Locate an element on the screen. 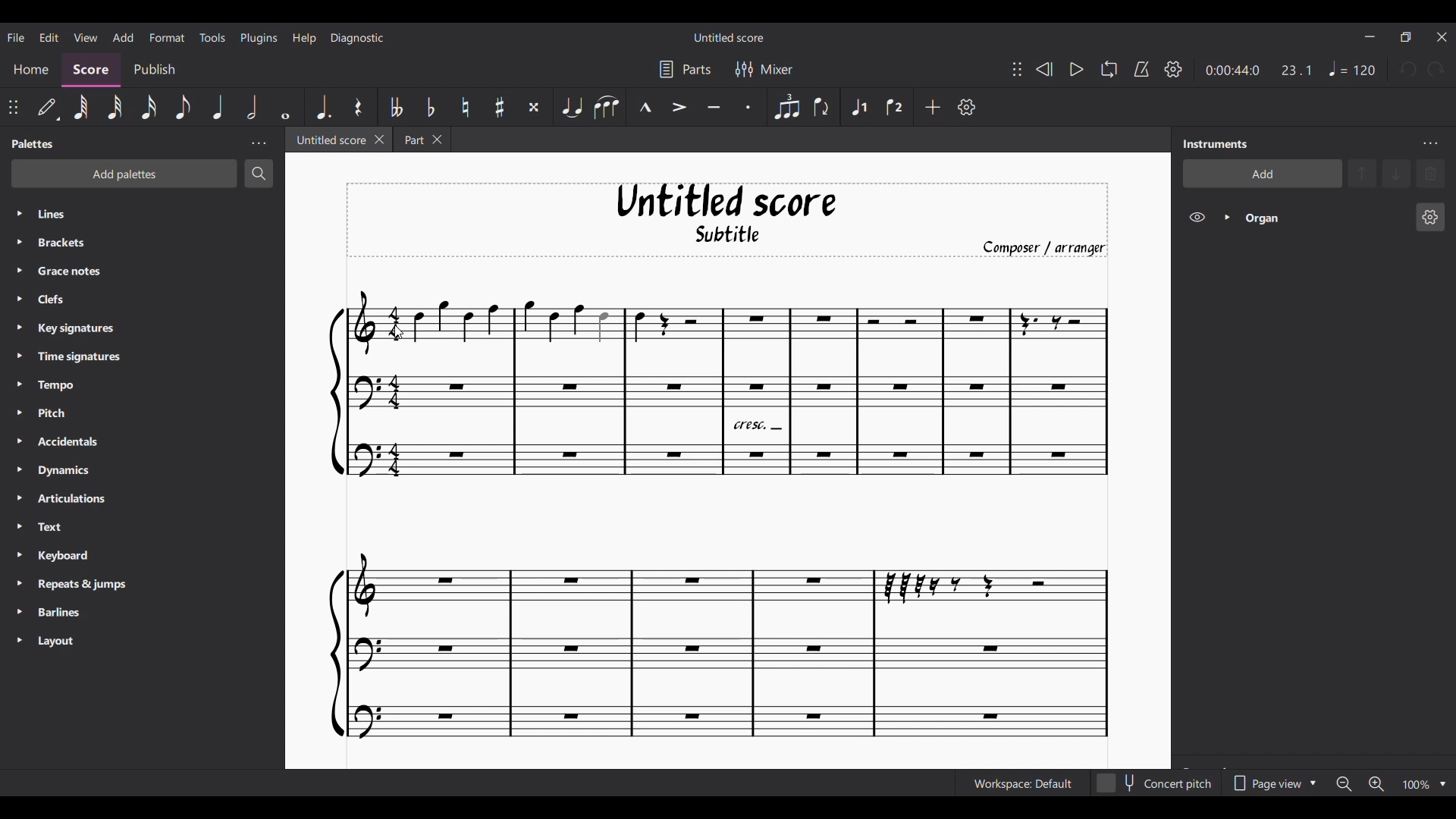 Image resolution: width=1456 pixels, height=819 pixels. Accent is located at coordinates (679, 107).